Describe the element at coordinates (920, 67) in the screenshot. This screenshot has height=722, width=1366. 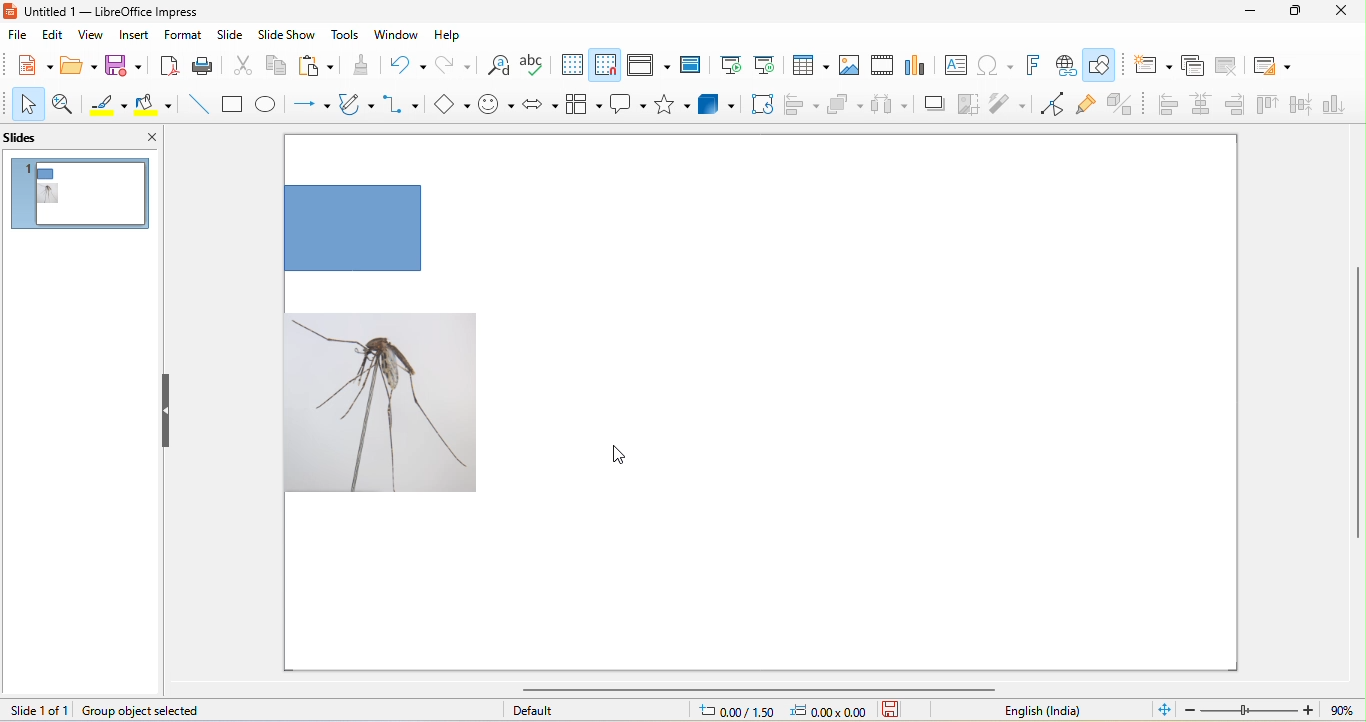
I see `chart` at that location.